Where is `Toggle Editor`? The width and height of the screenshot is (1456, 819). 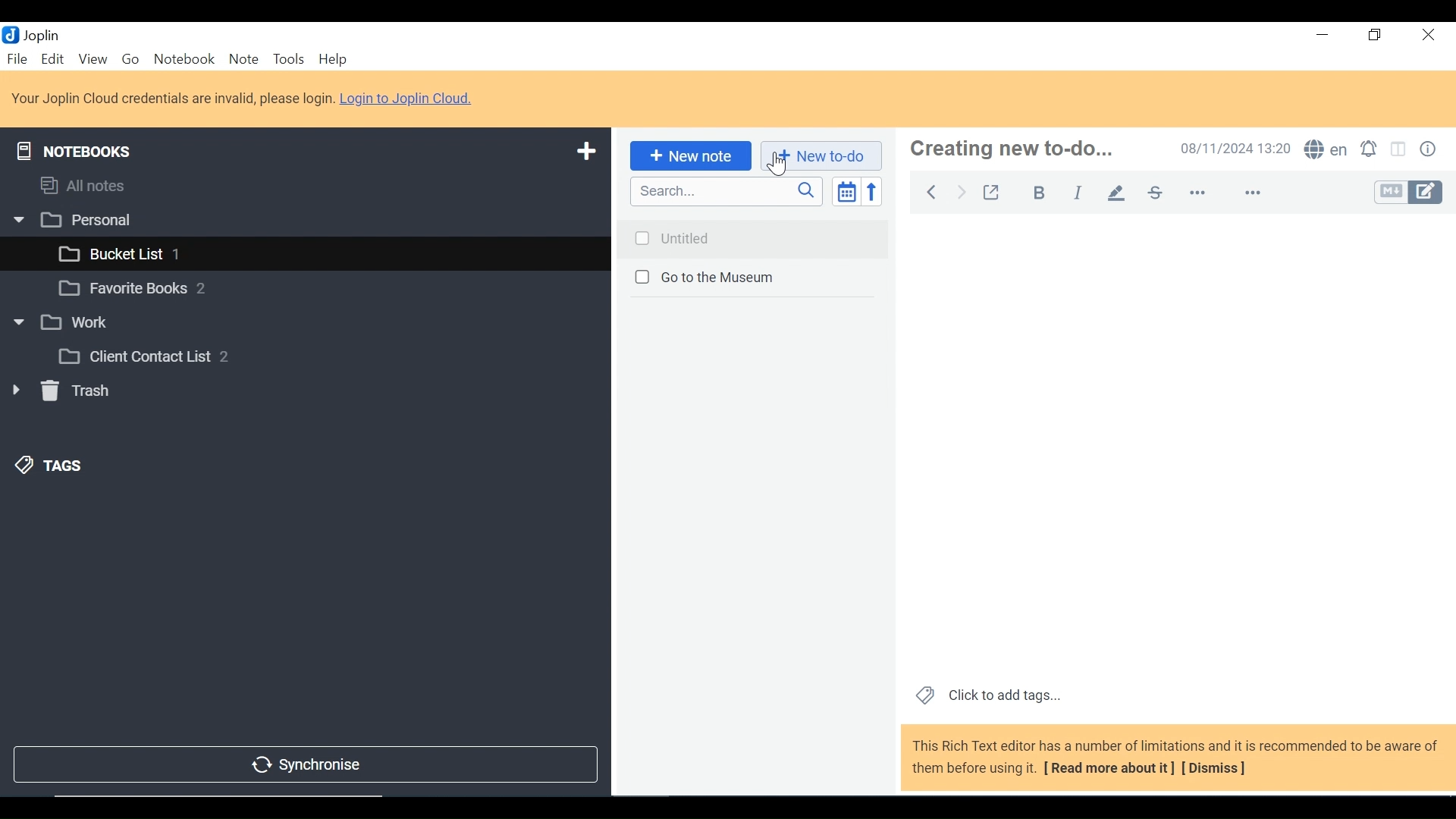
Toggle Editor is located at coordinates (1407, 193).